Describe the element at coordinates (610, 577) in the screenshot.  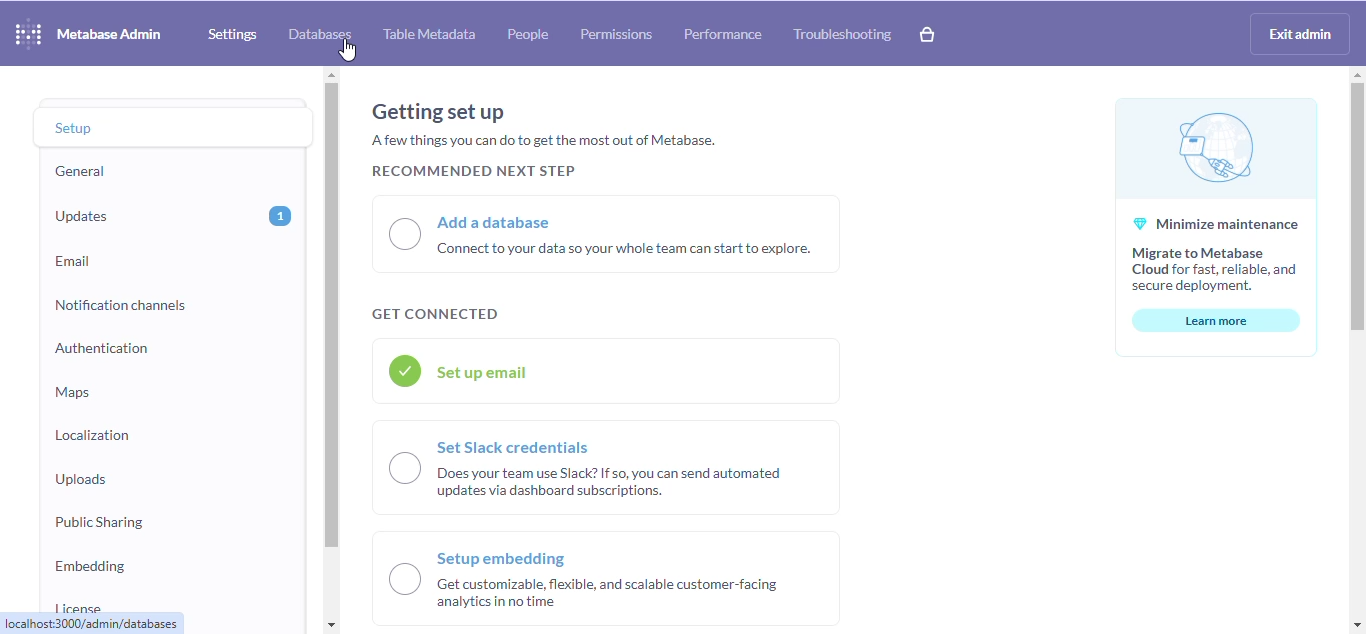
I see `setup embedding` at that location.